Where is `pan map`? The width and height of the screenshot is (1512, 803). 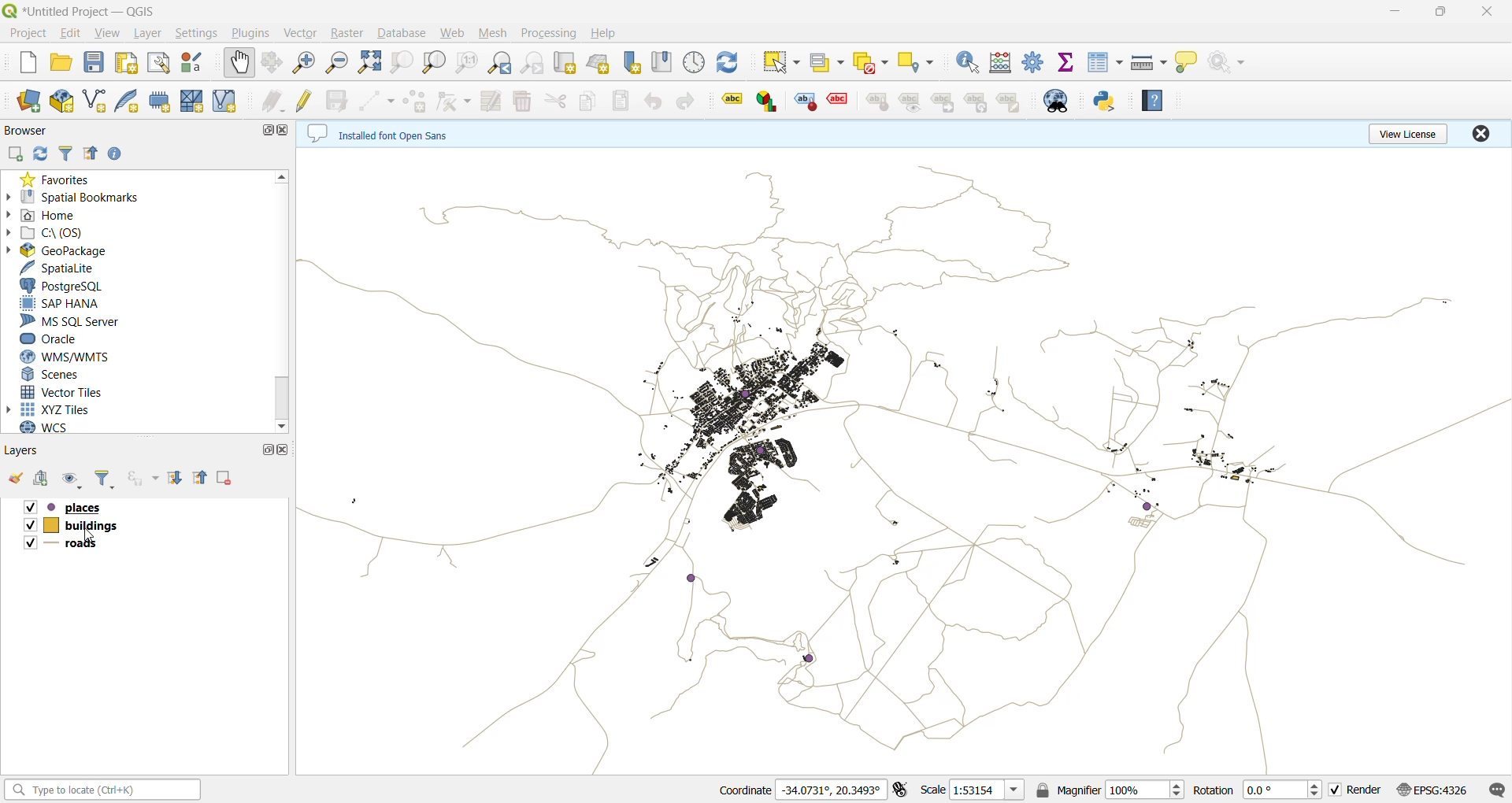
pan map is located at coordinates (239, 65).